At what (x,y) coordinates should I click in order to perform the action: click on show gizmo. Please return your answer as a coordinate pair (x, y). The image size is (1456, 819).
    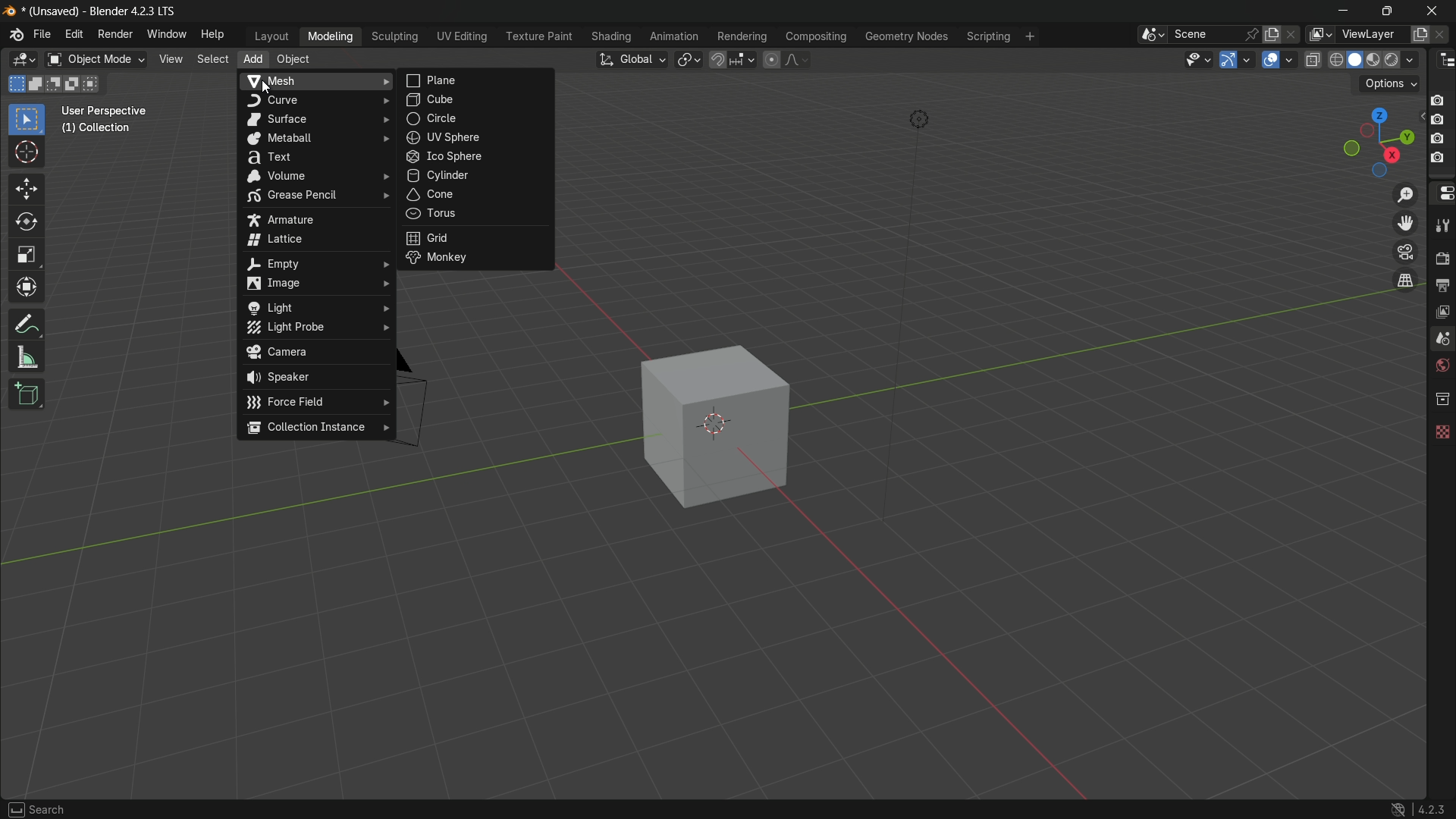
    Looking at the image, I should click on (1229, 60).